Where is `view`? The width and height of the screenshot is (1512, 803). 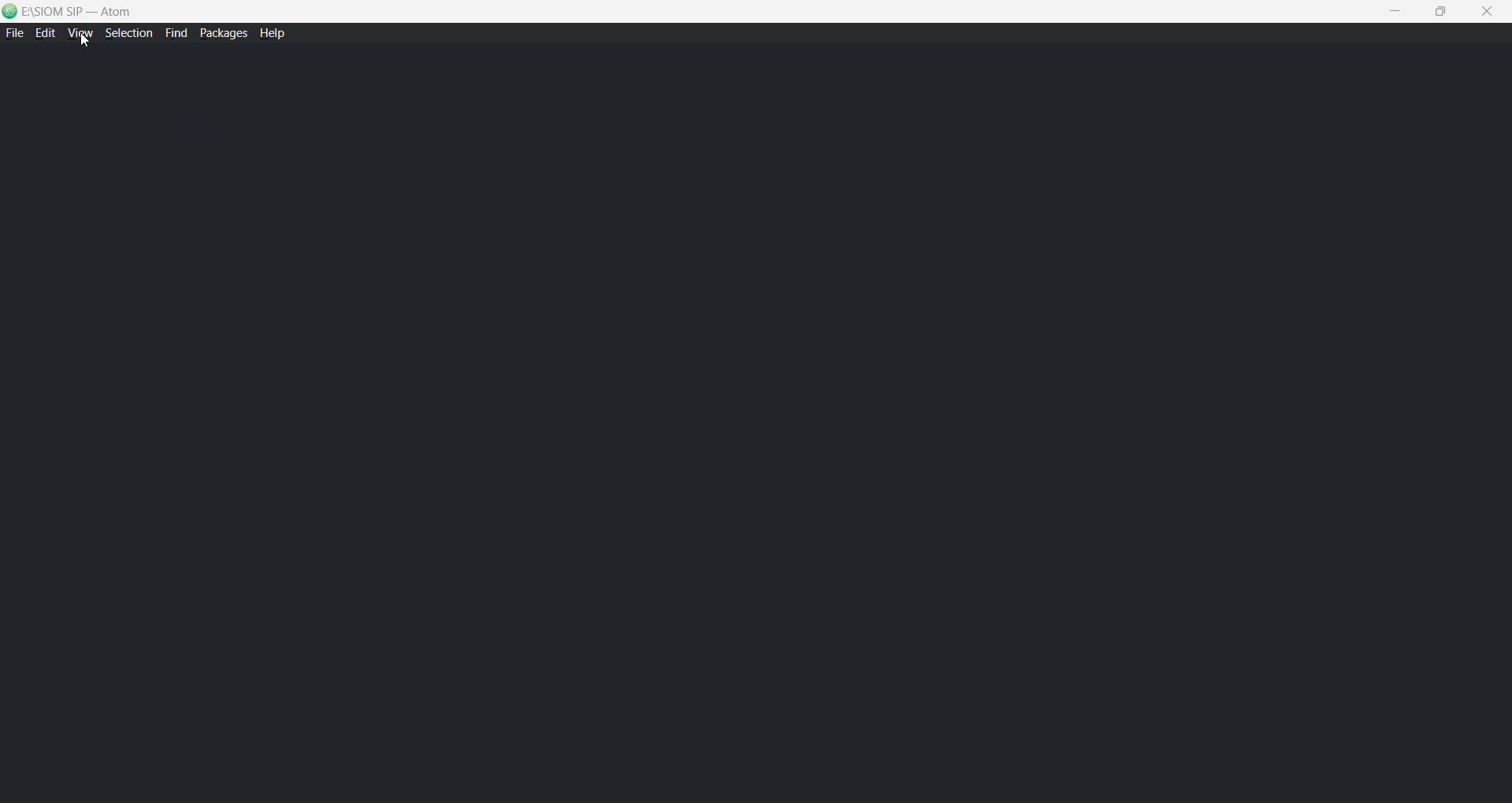 view is located at coordinates (81, 35).